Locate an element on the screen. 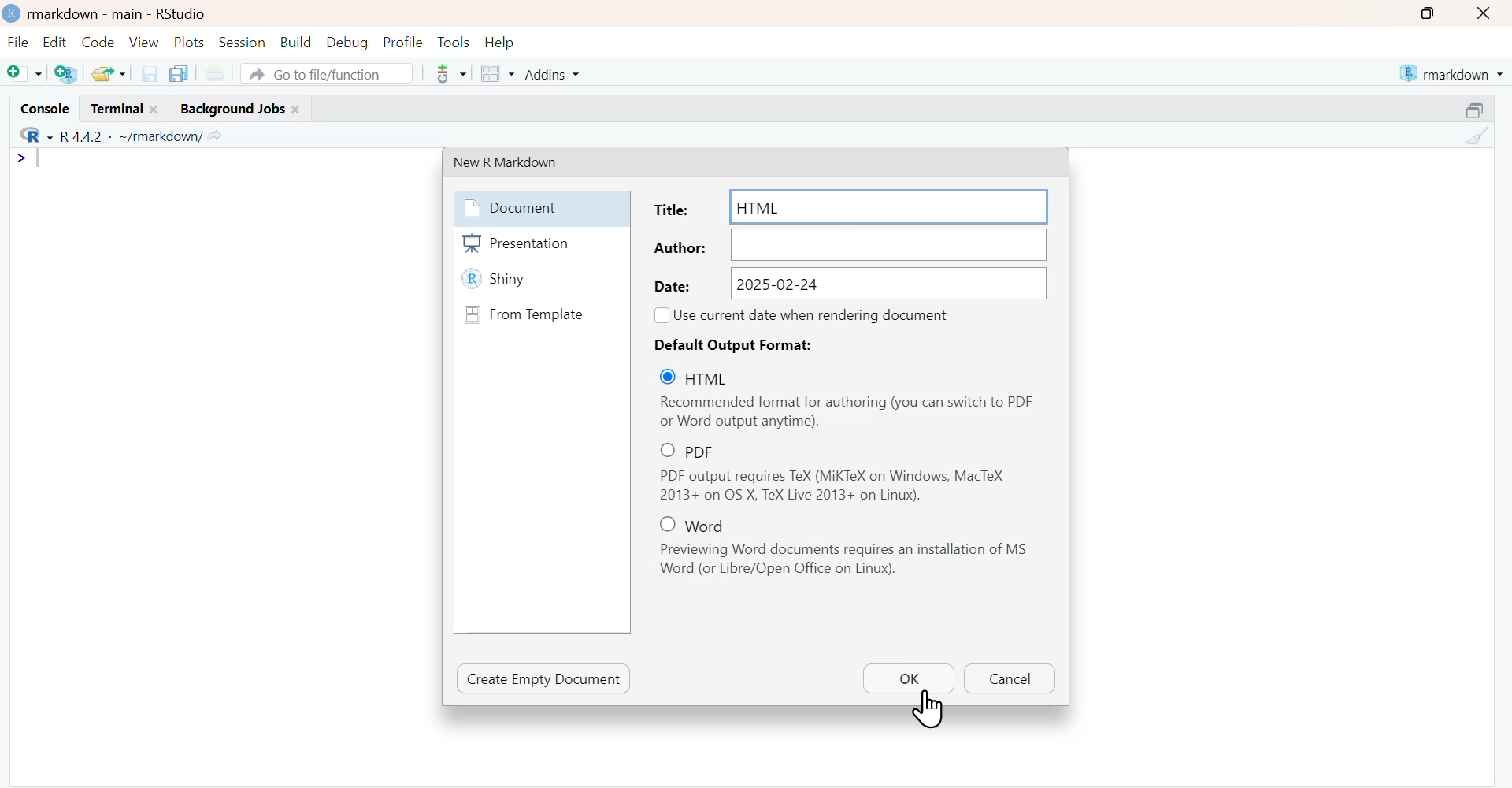 The image size is (1512, 788). git commit is located at coordinates (449, 73).